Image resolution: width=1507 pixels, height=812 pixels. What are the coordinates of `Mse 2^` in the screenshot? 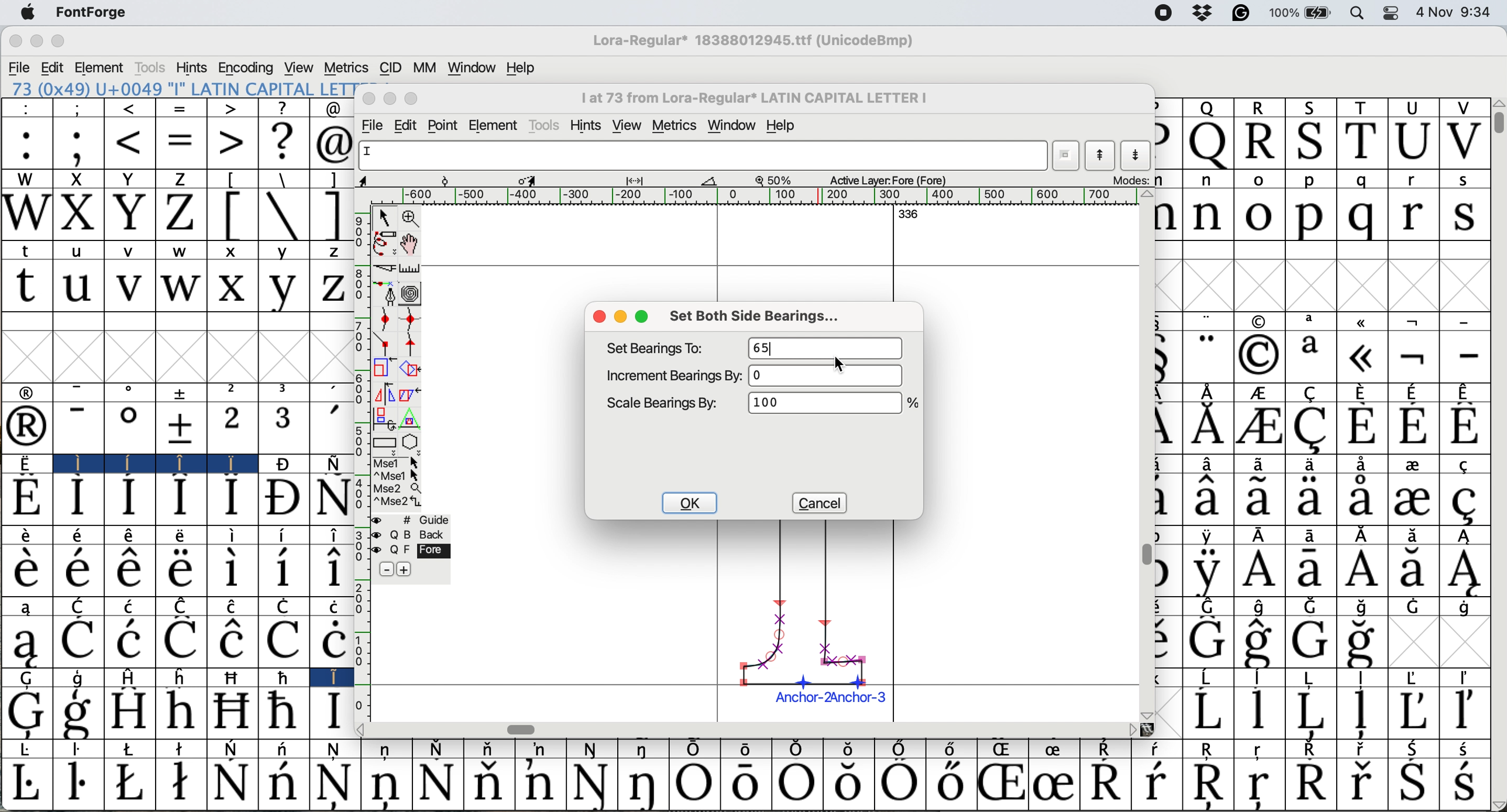 It's located at (398, 501).